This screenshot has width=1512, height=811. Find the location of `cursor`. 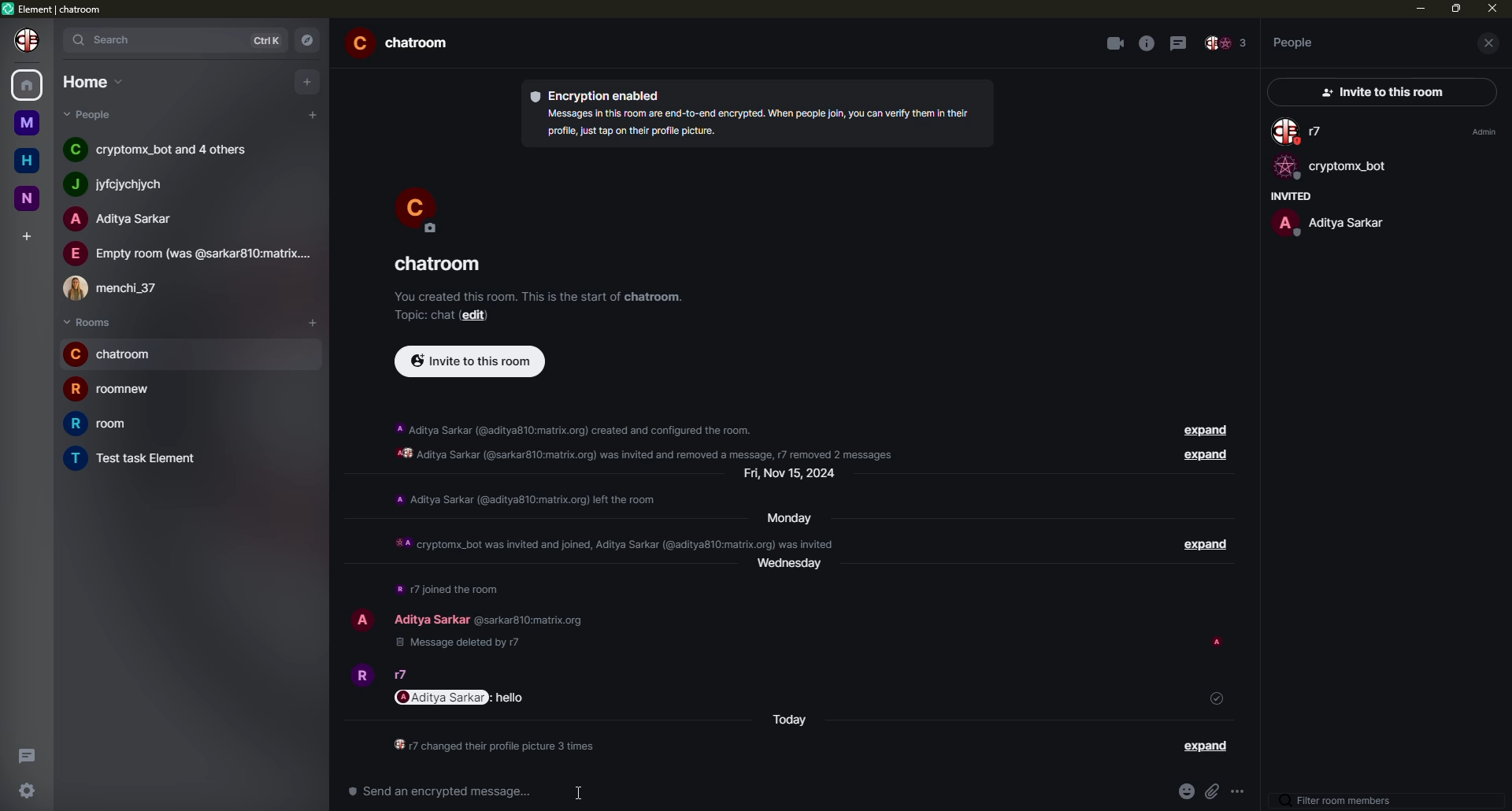

cursor is located at coordinates (580, 792).